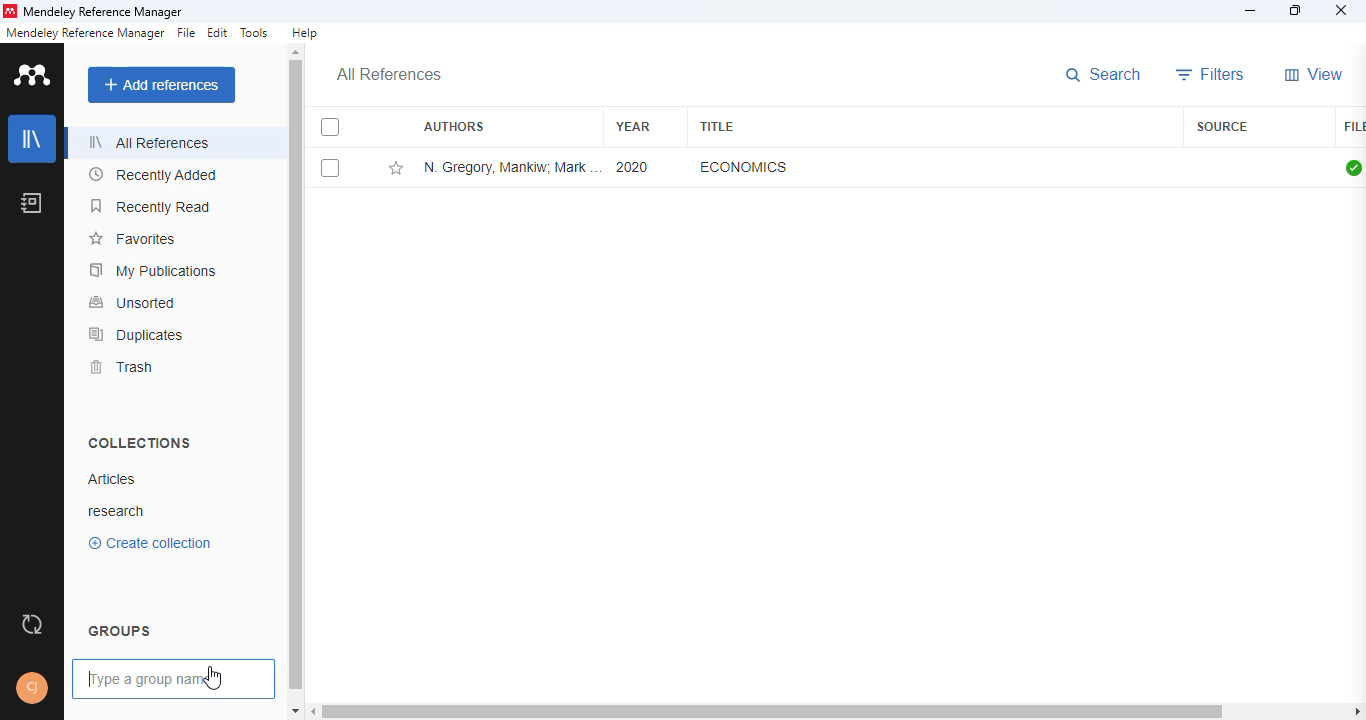 This screenshot has height=720, width=1366. Describe the element at coordinates (213, 679) in the screenshot. I see `cursor` at that location.